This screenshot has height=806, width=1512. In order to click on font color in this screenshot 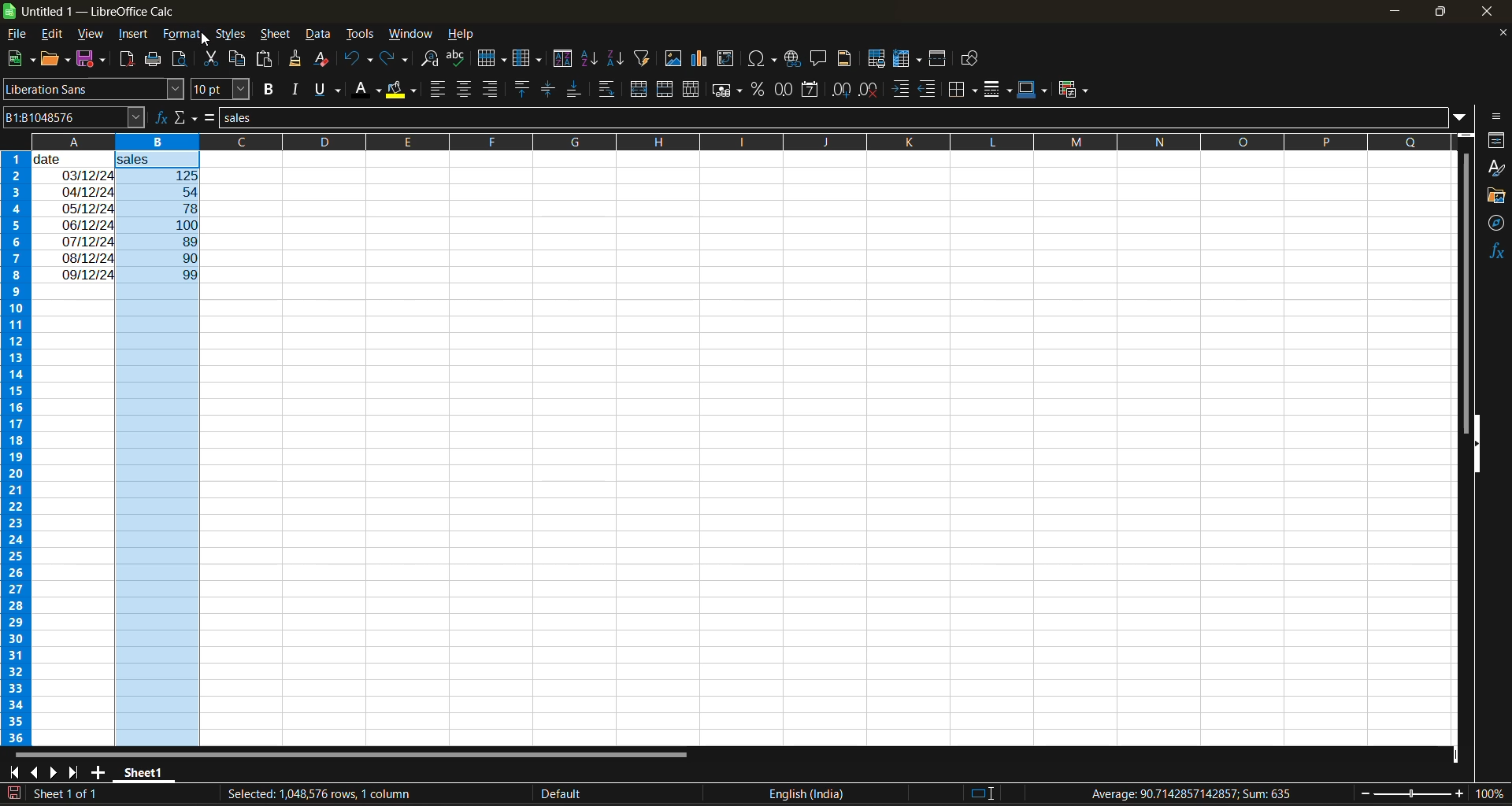, I will do `click(369, 91)`.